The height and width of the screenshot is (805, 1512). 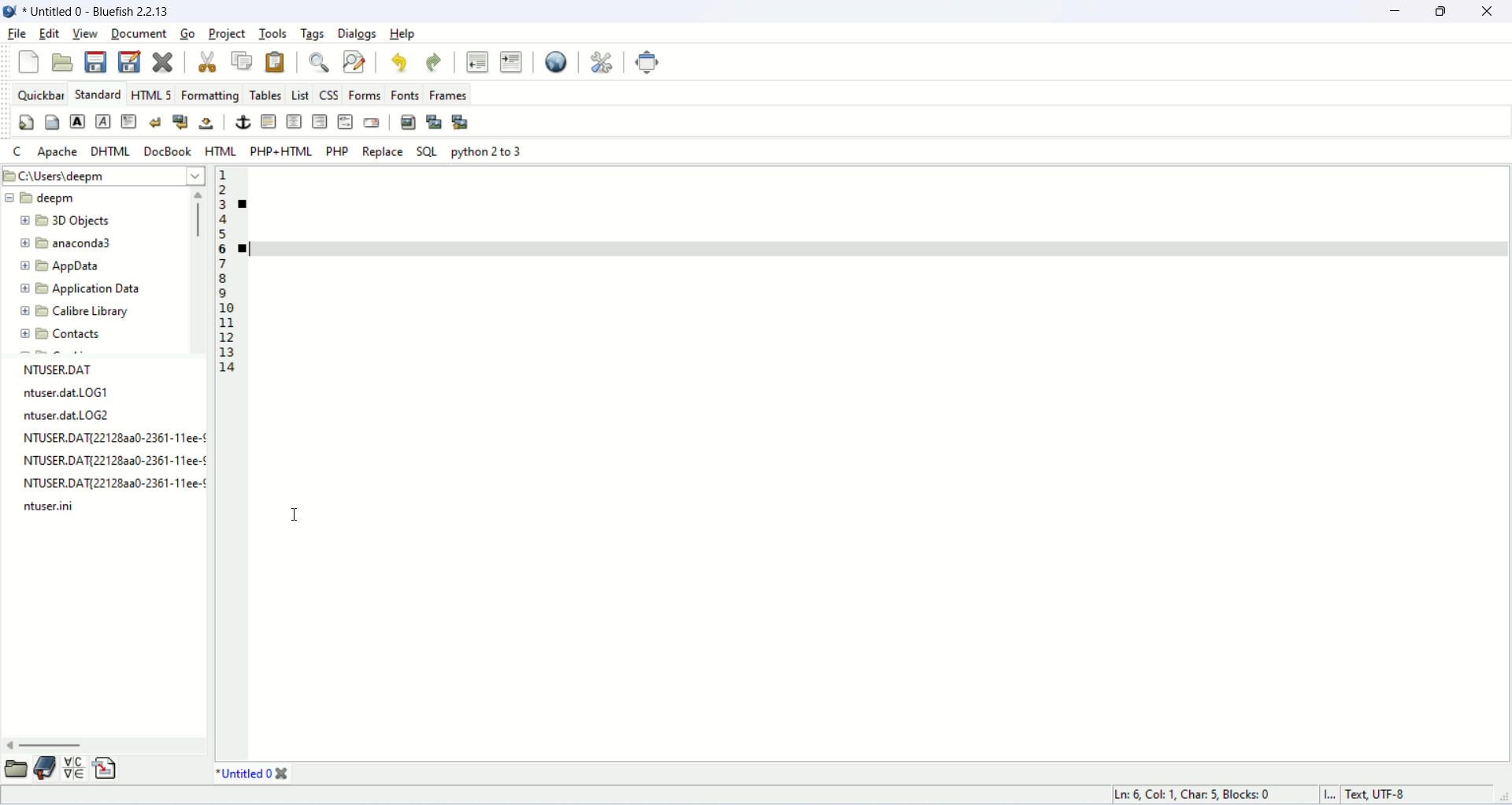 I want to click on cursor, so click(x=294, y=516).